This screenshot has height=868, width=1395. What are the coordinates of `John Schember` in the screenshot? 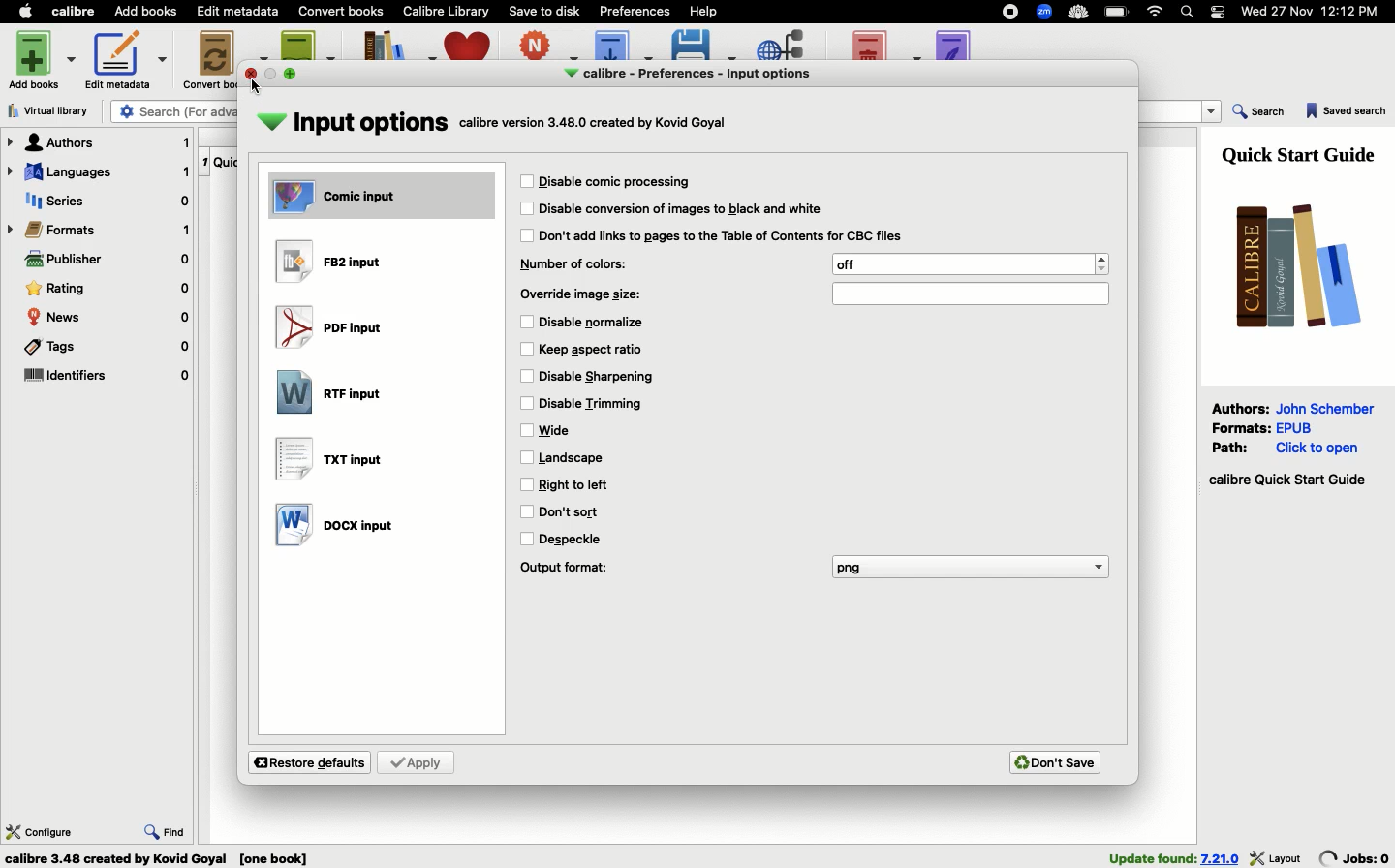 It's located at (1328, 407).